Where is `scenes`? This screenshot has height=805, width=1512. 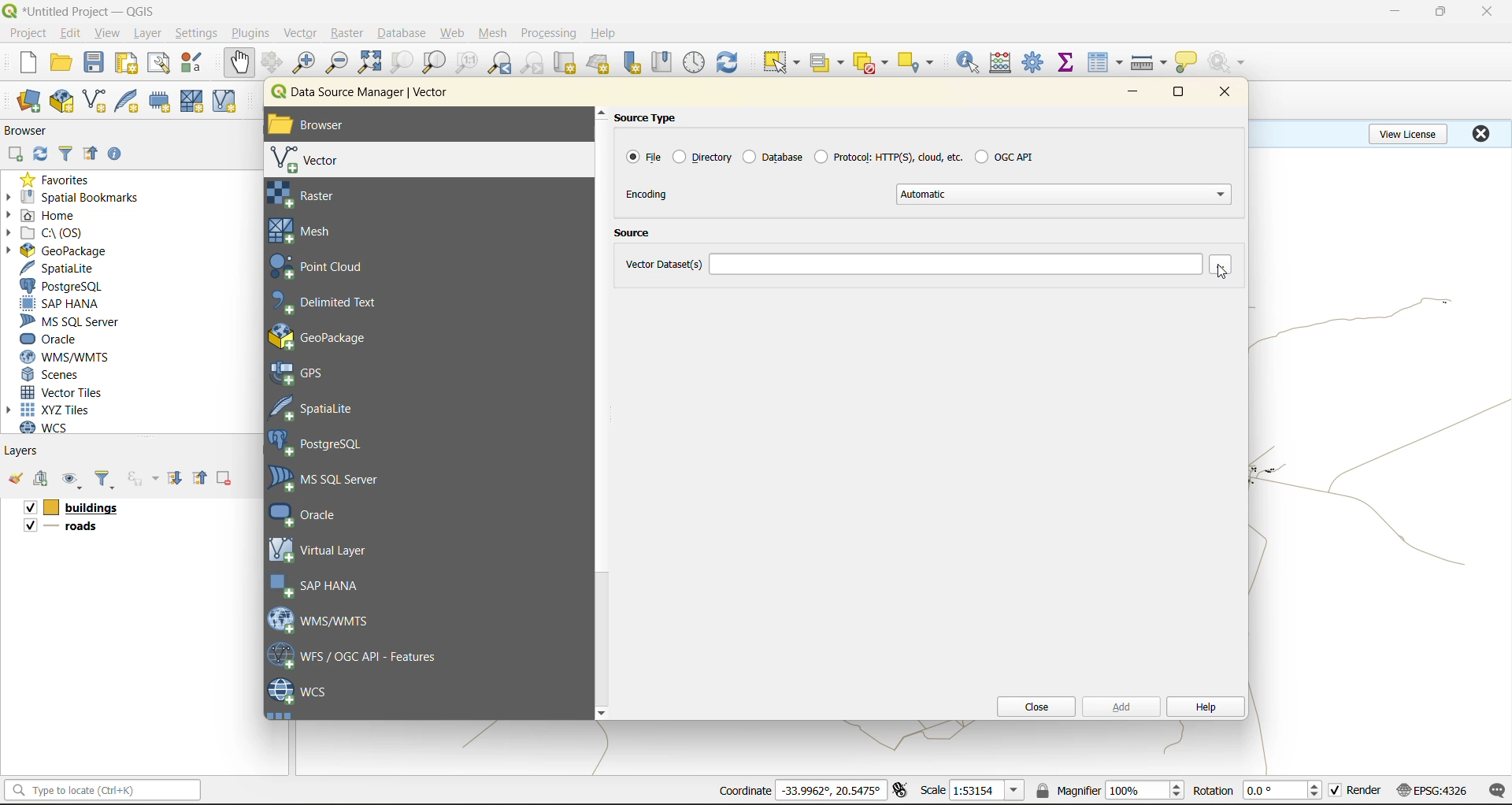 scenes is located at coordinates (52, 375).